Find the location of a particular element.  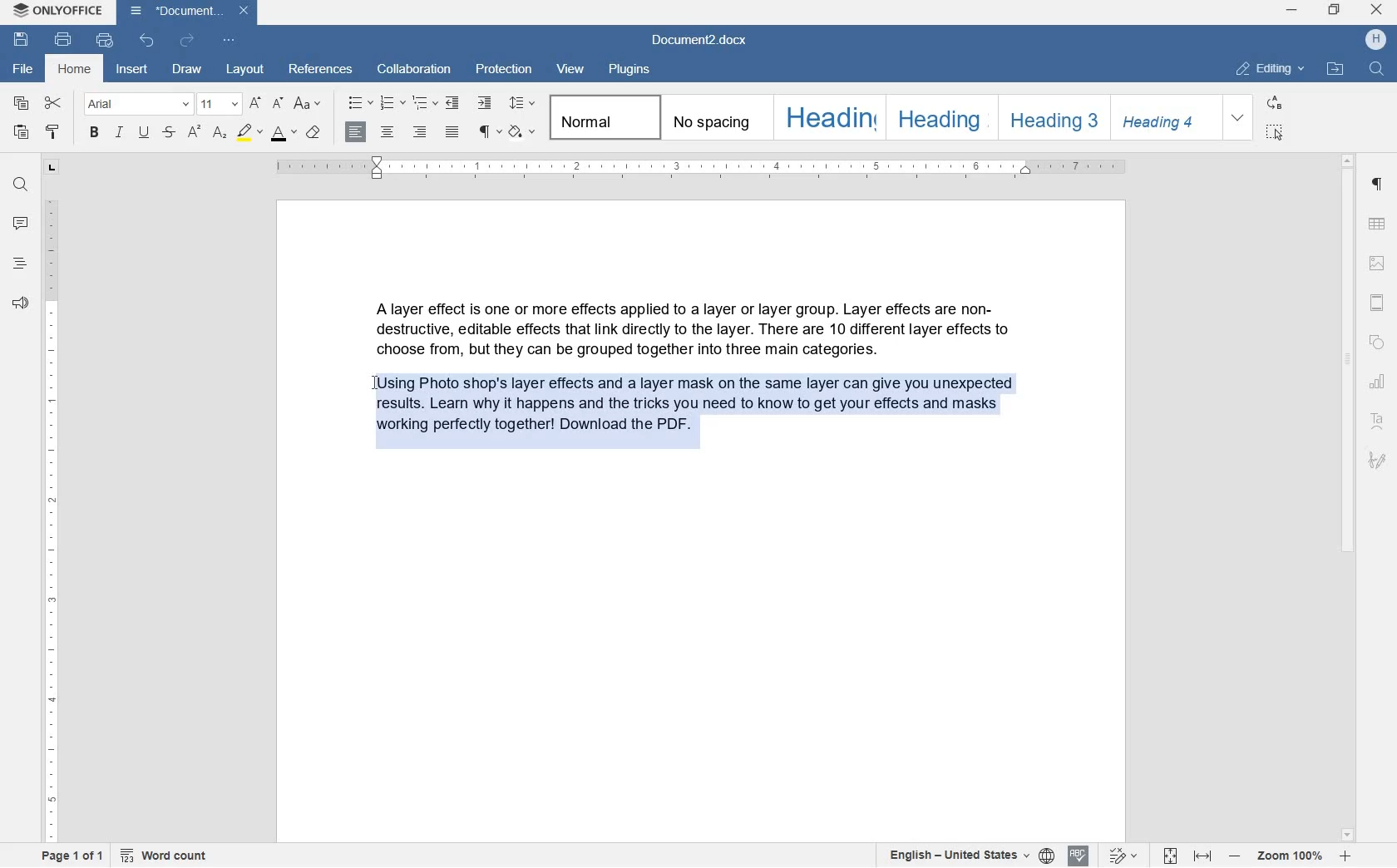

close is located at coordinates (1378, 11).